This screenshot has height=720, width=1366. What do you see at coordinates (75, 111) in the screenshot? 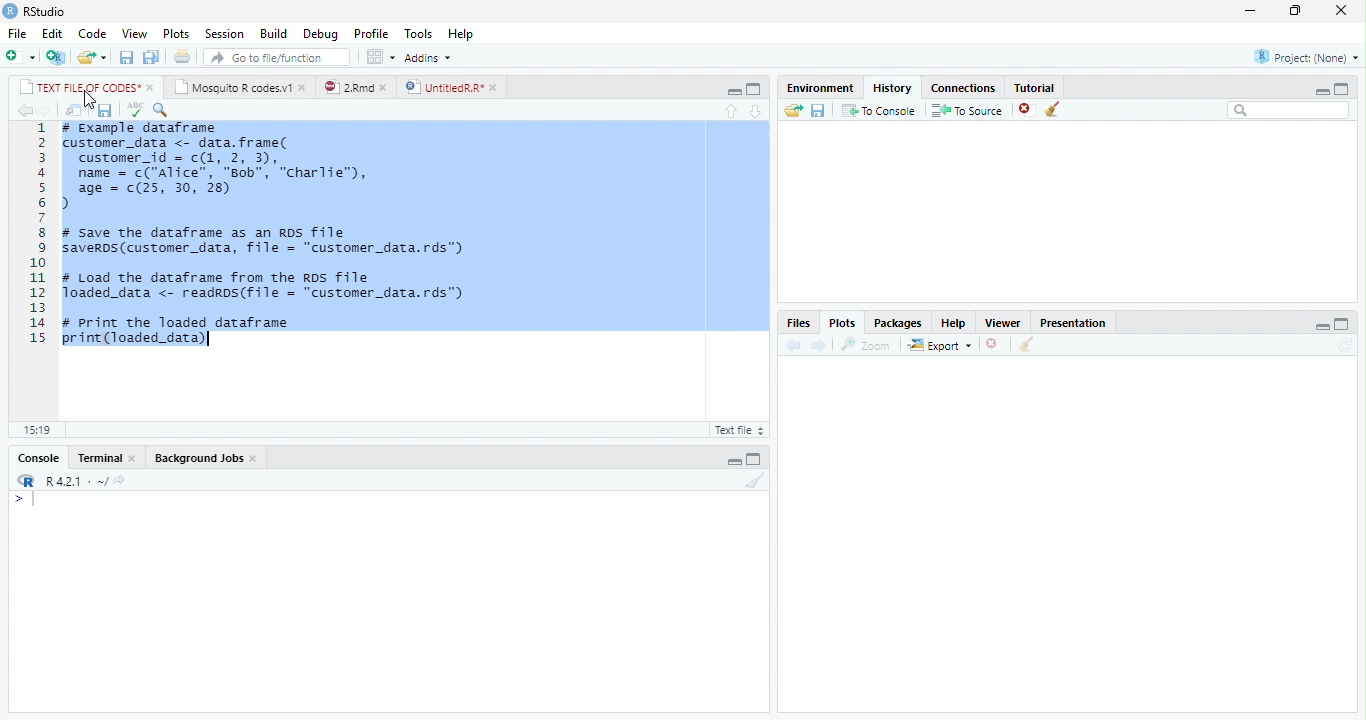
I see `open in new window` at bounding box center [75, 111].